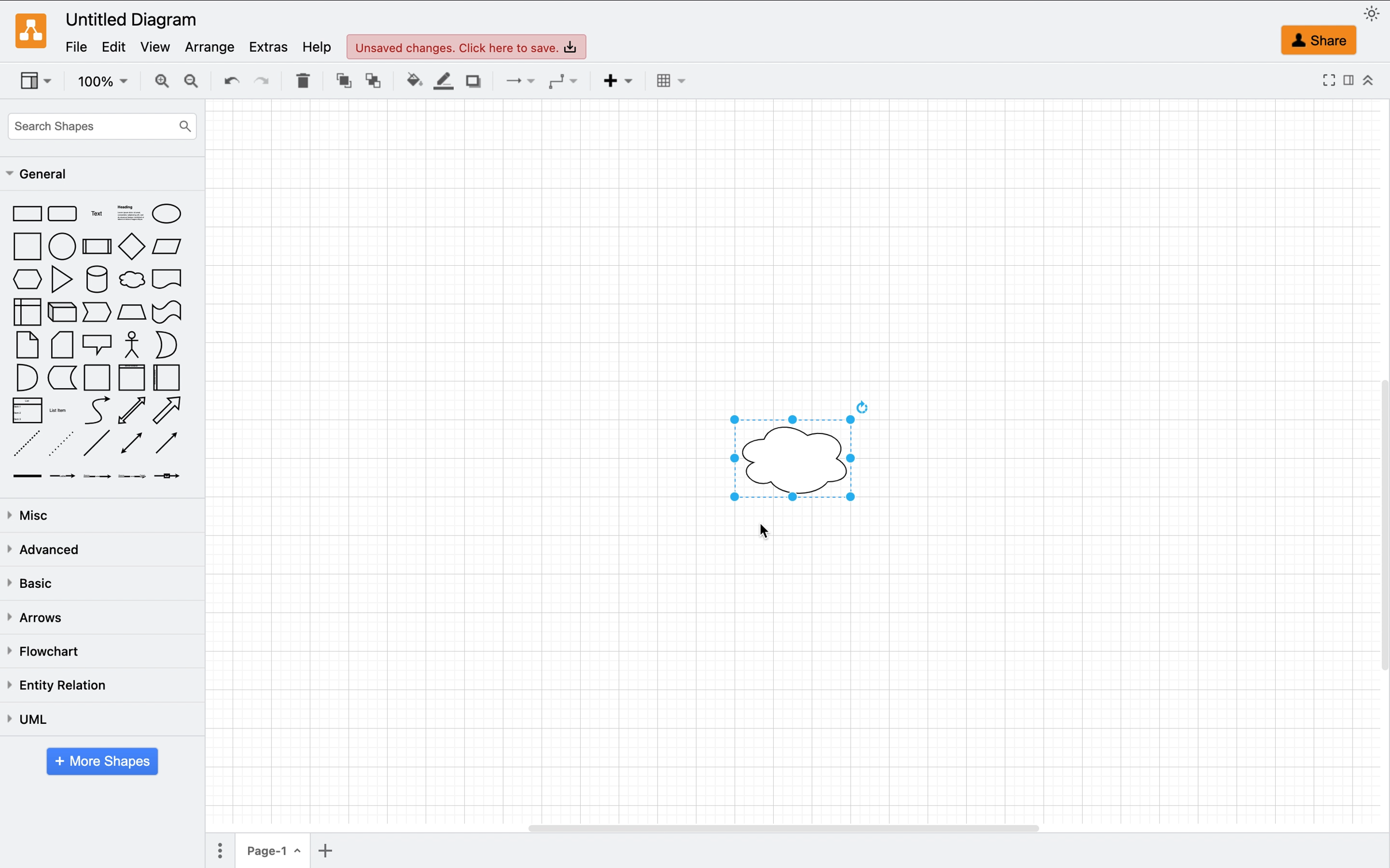 The height and width of the screenshot is (868, 1390). Describe the element at coordinates (321, 48) in the screenshot. I see `help` at that location.